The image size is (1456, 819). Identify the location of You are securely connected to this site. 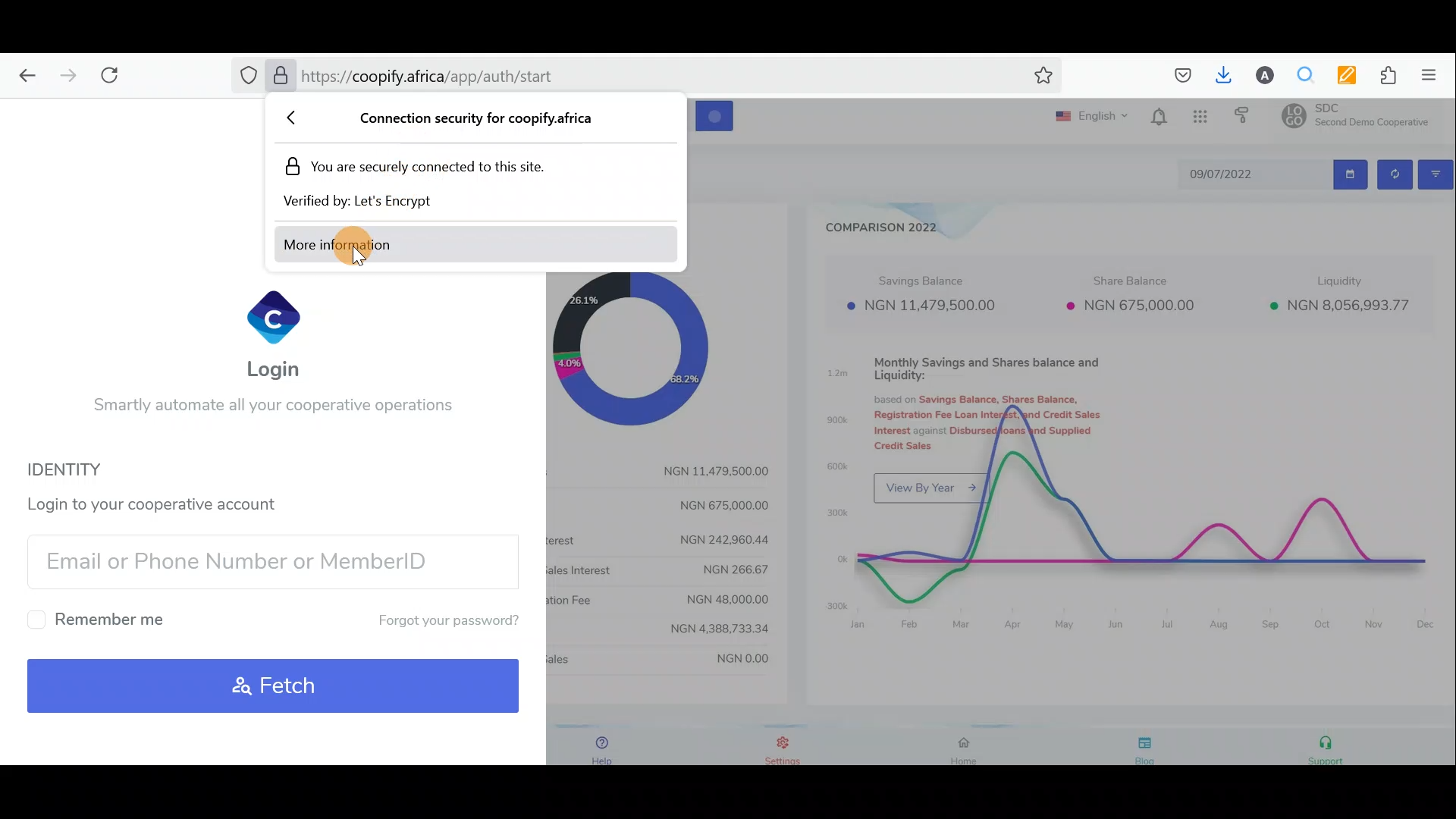
(431, 165).